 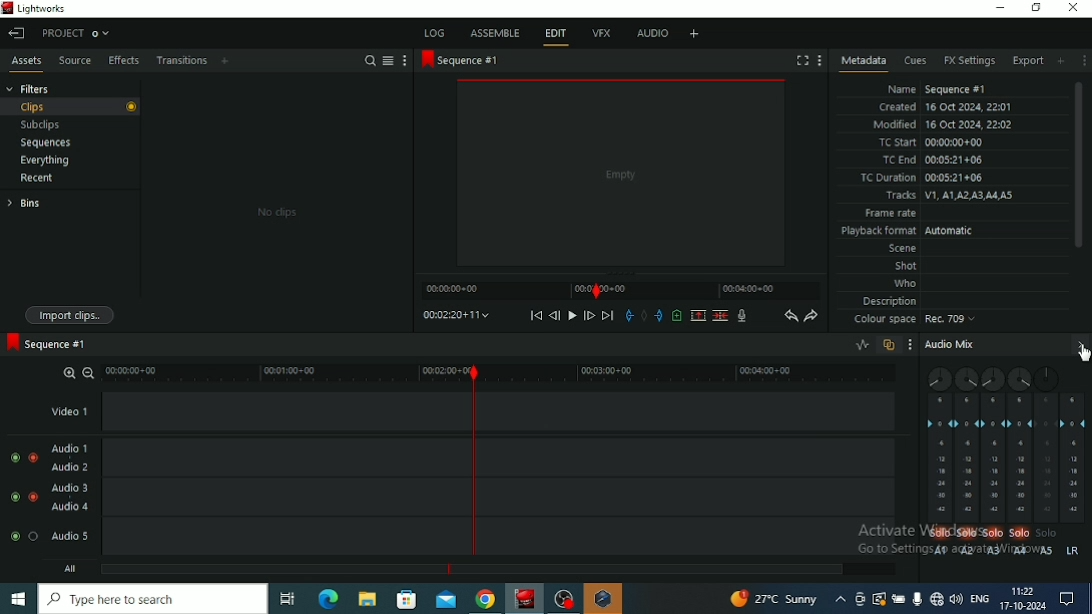 What do you see at coordinates (19, 599) in the screenshot?
I see `Windows` at bounding box center [19, 599].